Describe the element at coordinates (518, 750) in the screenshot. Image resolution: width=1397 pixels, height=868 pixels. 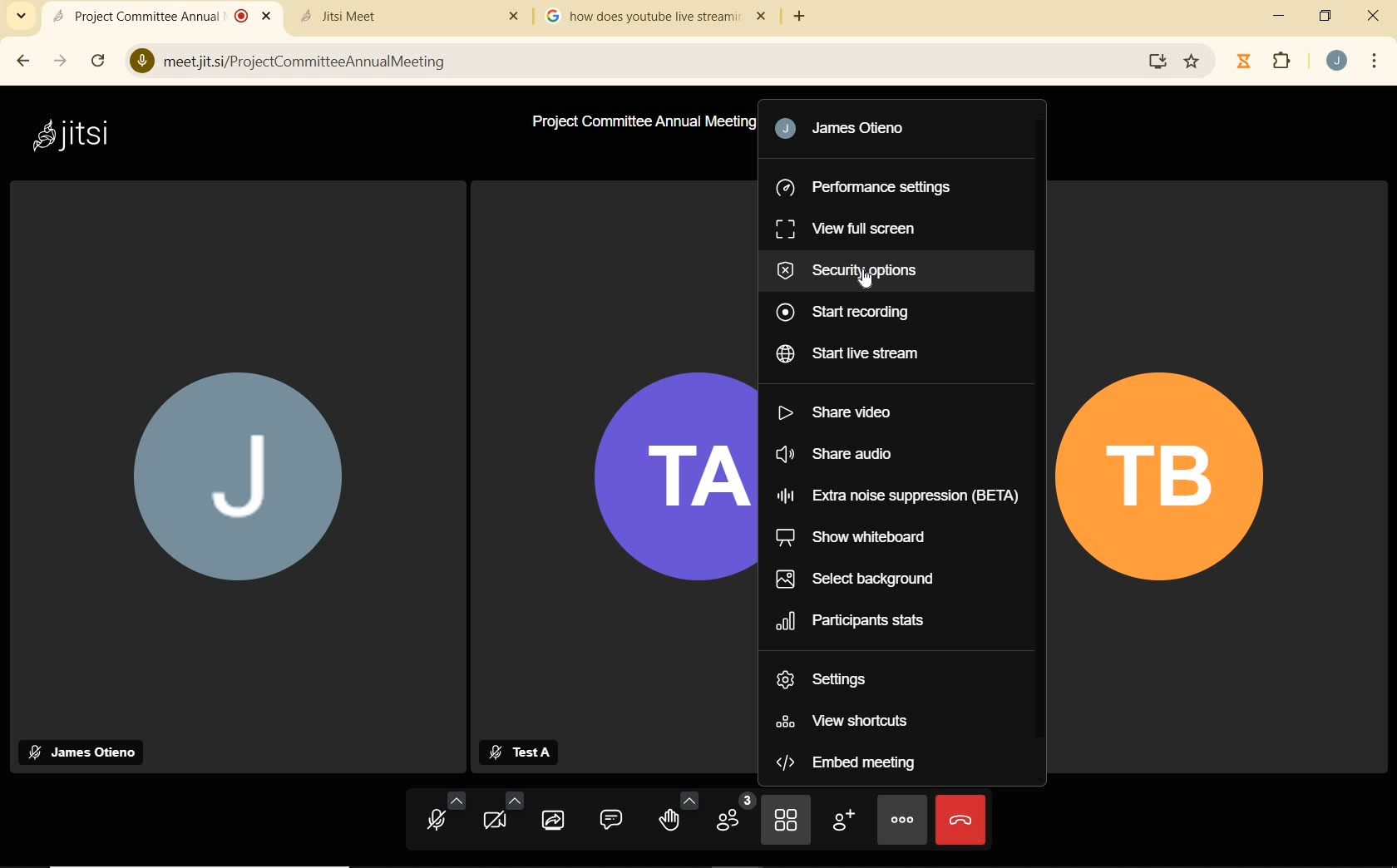
I see `Test A` at that location.